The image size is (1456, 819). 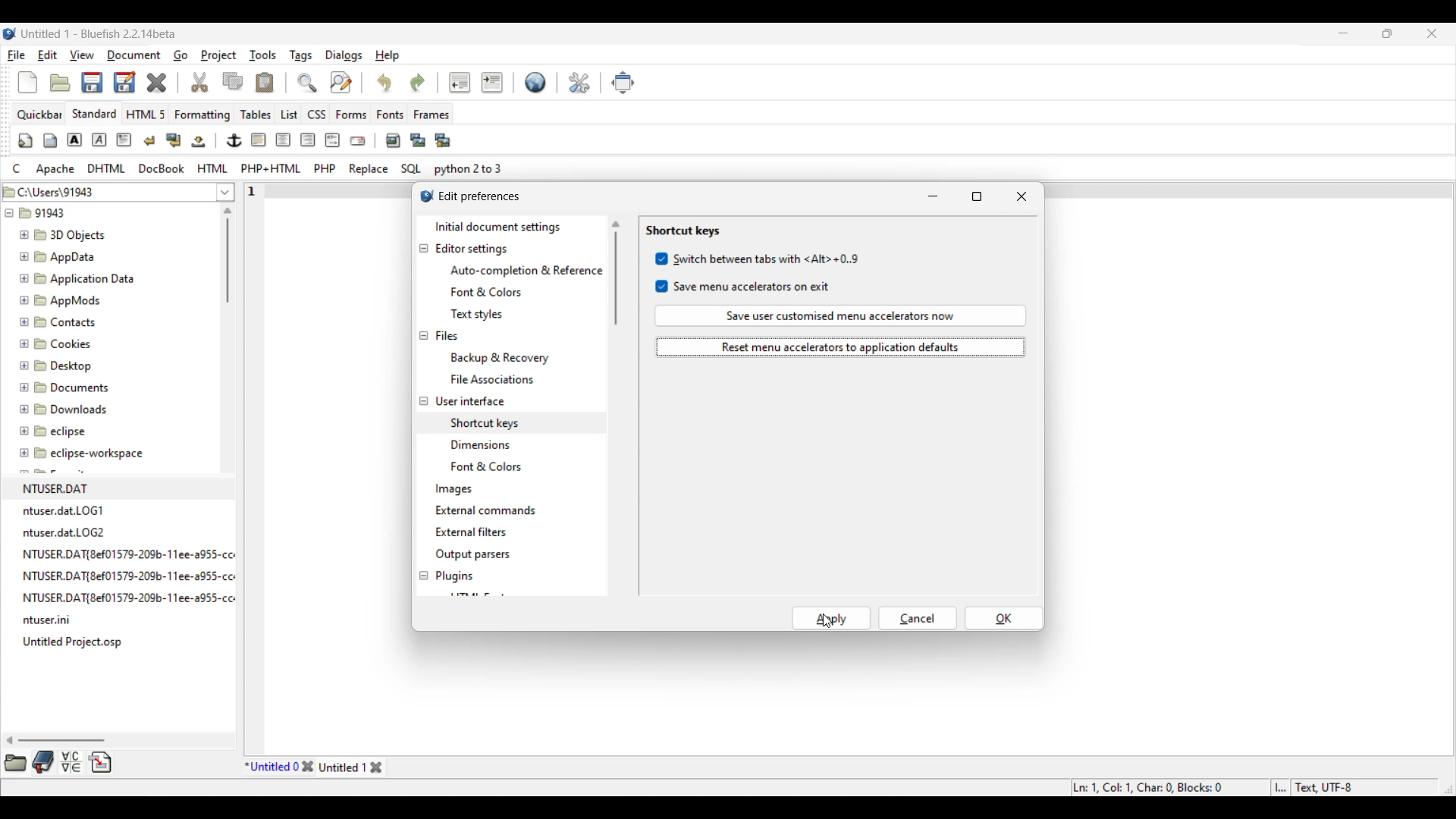 What do you see at coordinates (933, 196) in the screenshot?
I see `Minimize` at bounding box center [933, 196].